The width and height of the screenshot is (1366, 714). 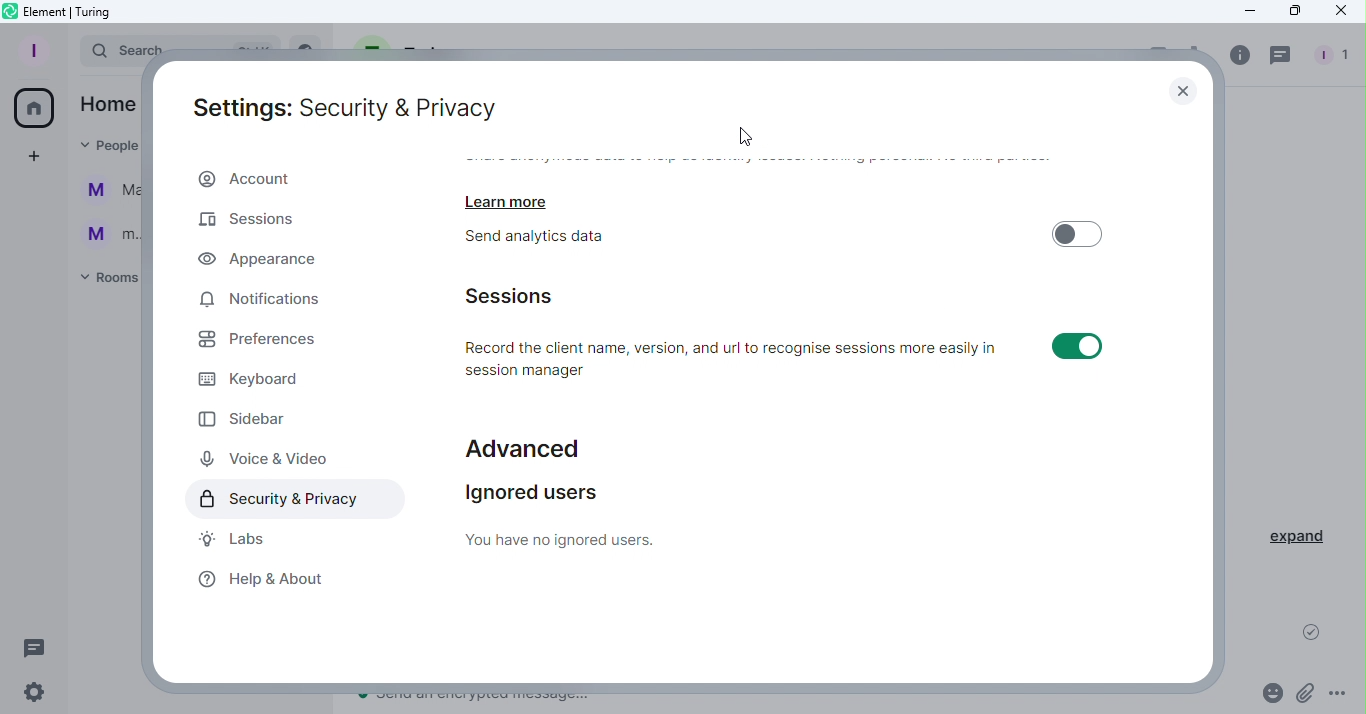 I want to click on Message sent, so click(x=1312, y=636).